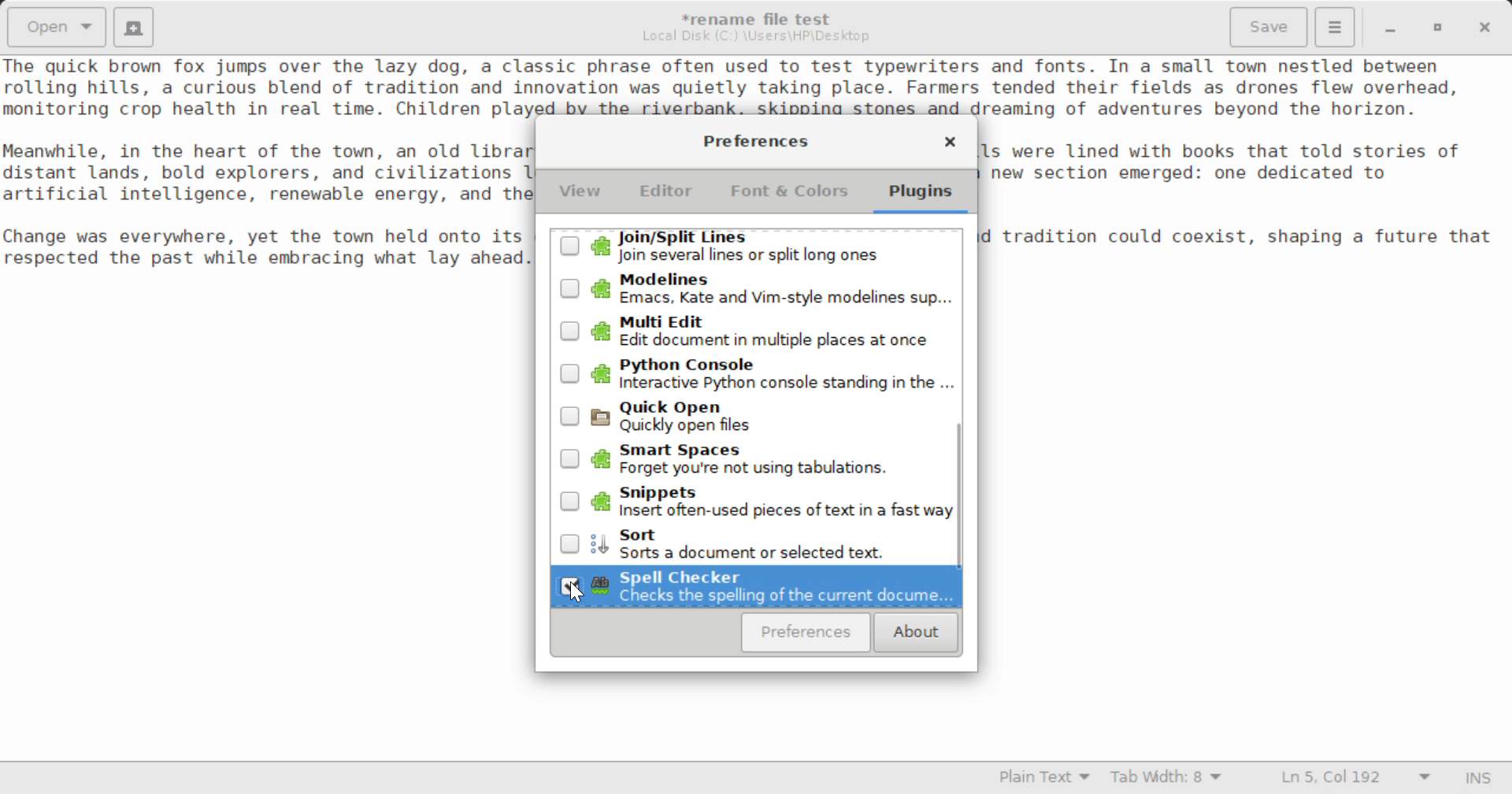 This screenshot has height=794, width=1512. I want to click on Snippets Plugin Button Unselected, so click(757, 499).